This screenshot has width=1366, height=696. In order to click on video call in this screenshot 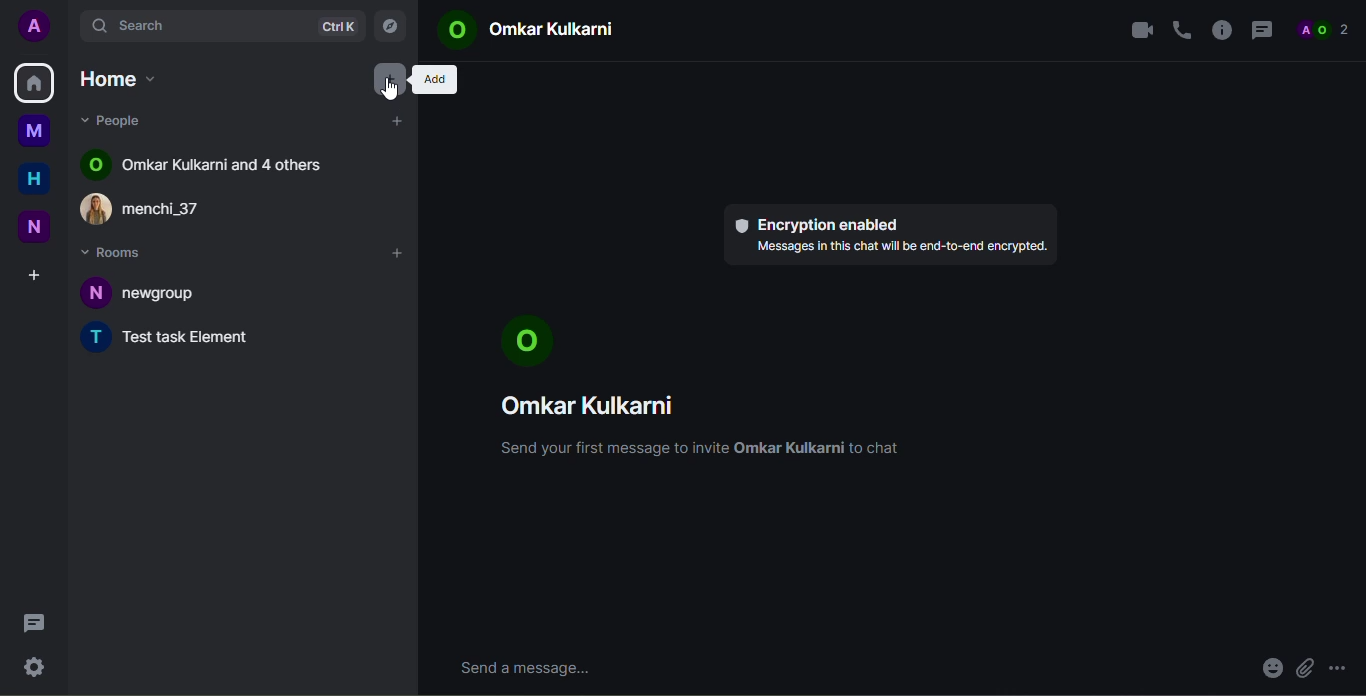, I will do `click(1137, 28)`.